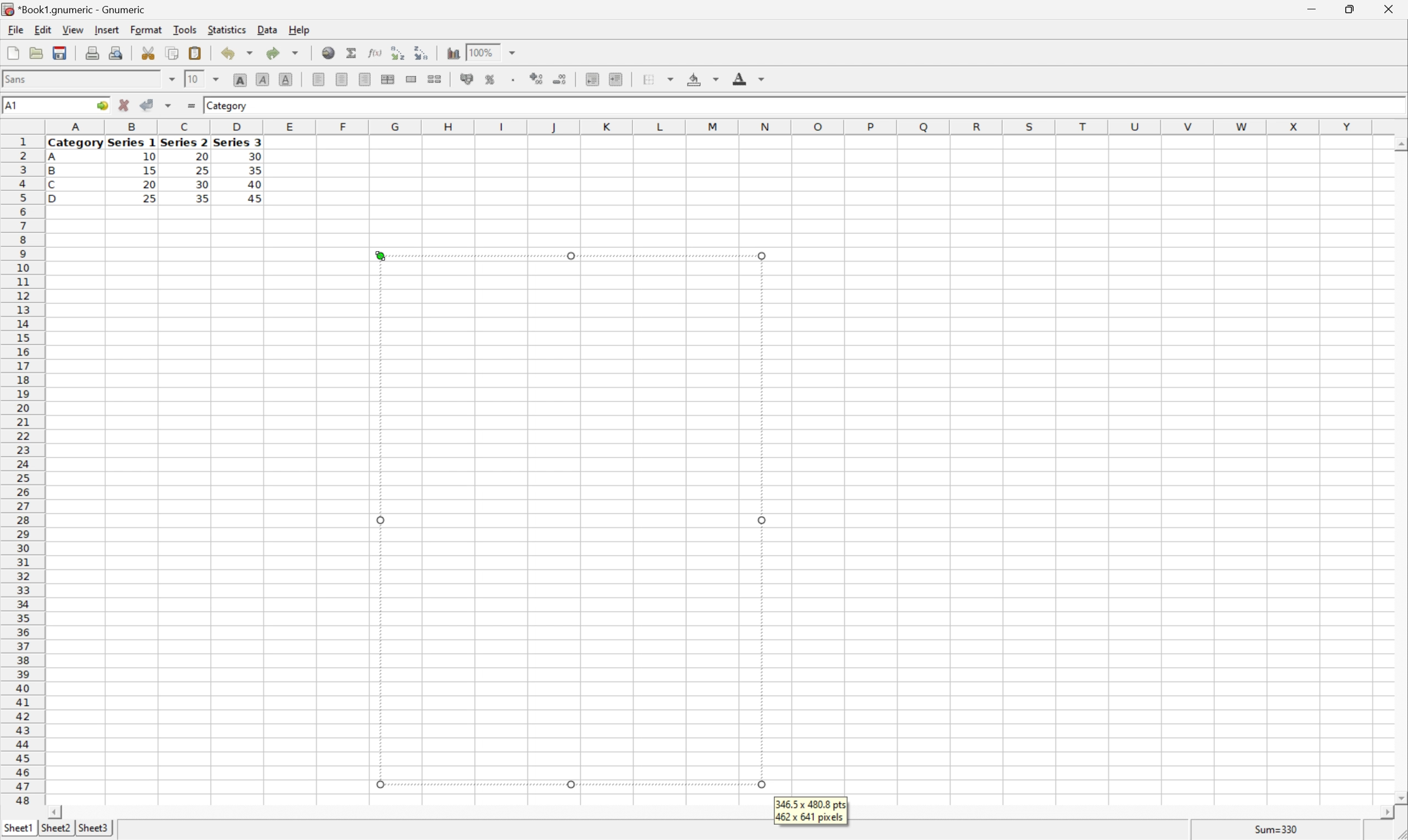  I want to click on 25, so click(203, 170).